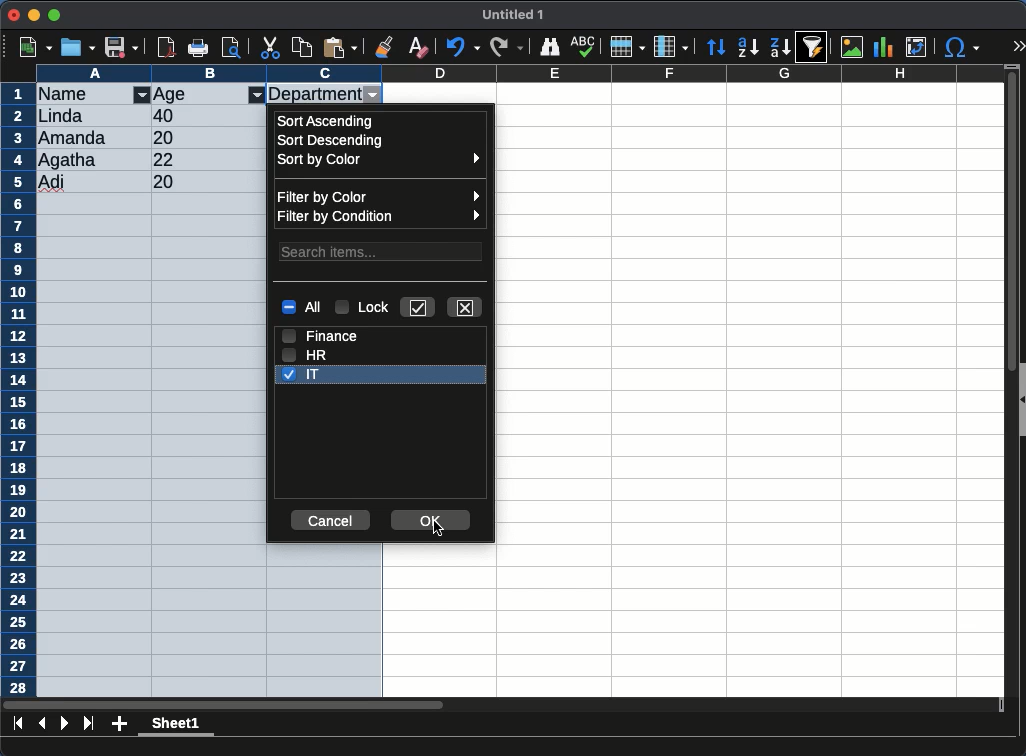 This screenshot has height=756, width=1026. Describe the element at coordinates (432, 517) in the screenshot. I see `ok` at that location.